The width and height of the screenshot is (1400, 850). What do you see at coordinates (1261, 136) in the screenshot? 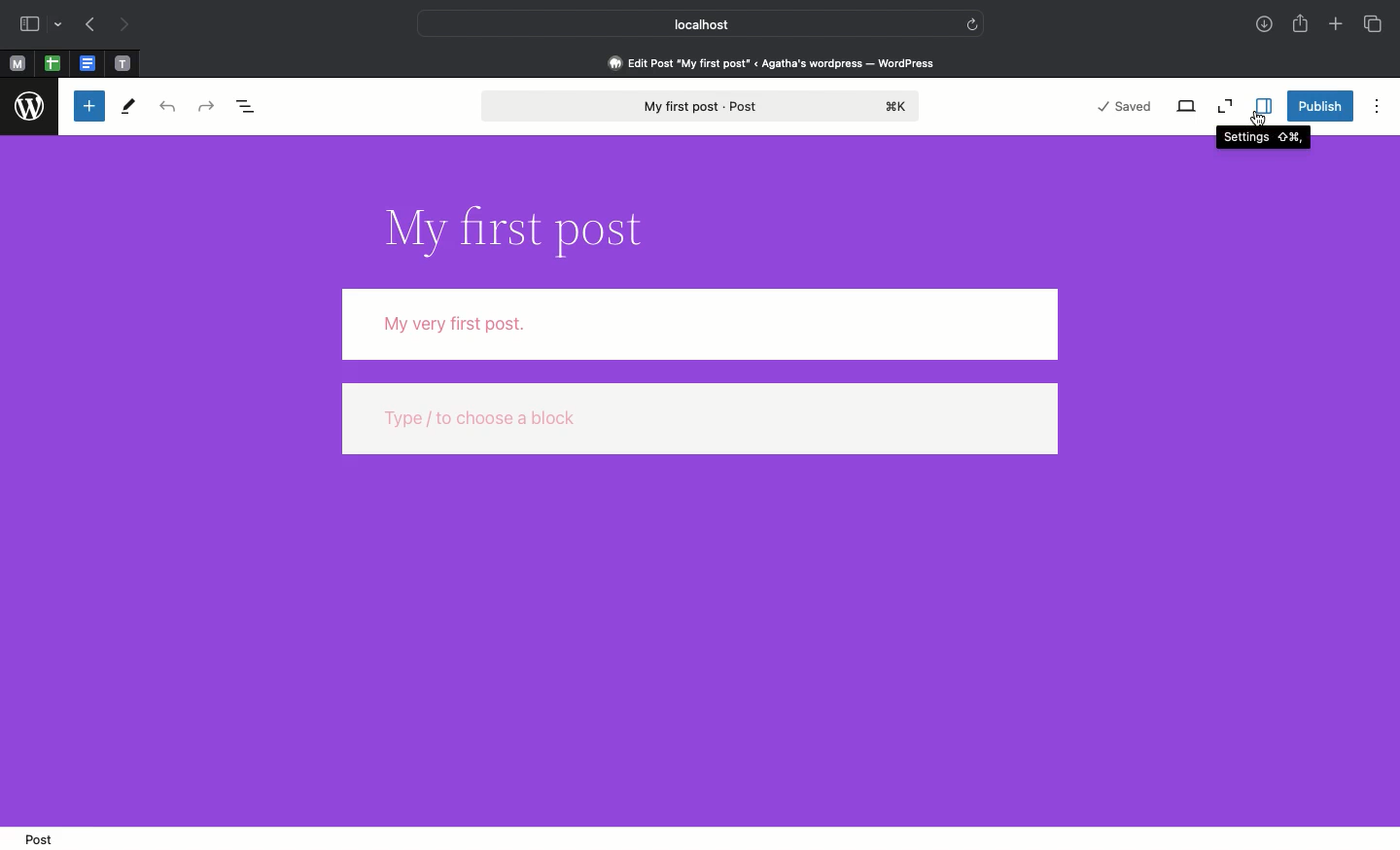
I see `Settings` at bounding box center [1261, 136].